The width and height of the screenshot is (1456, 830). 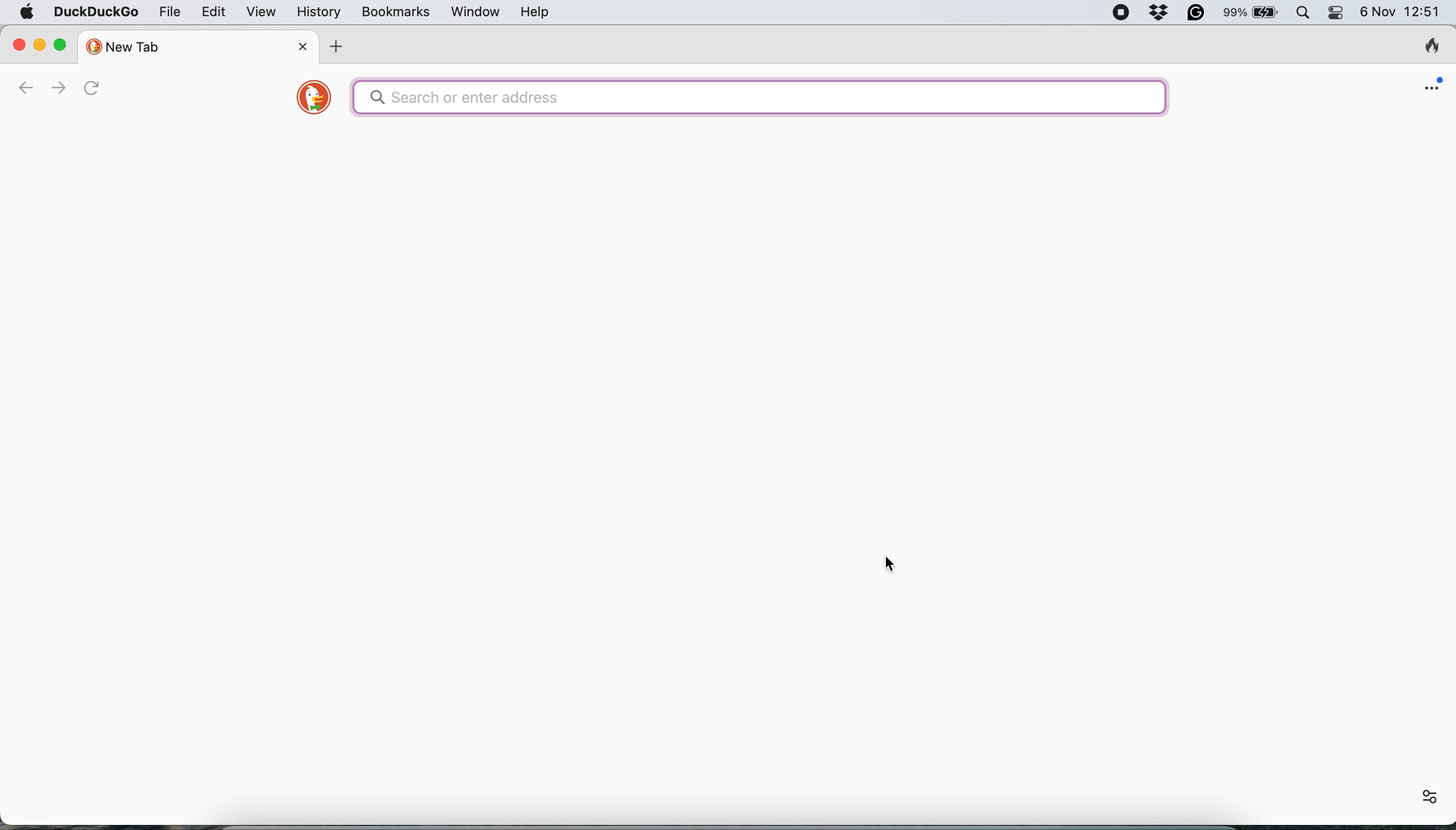 I want to click on file, so click(x=168, y=13).